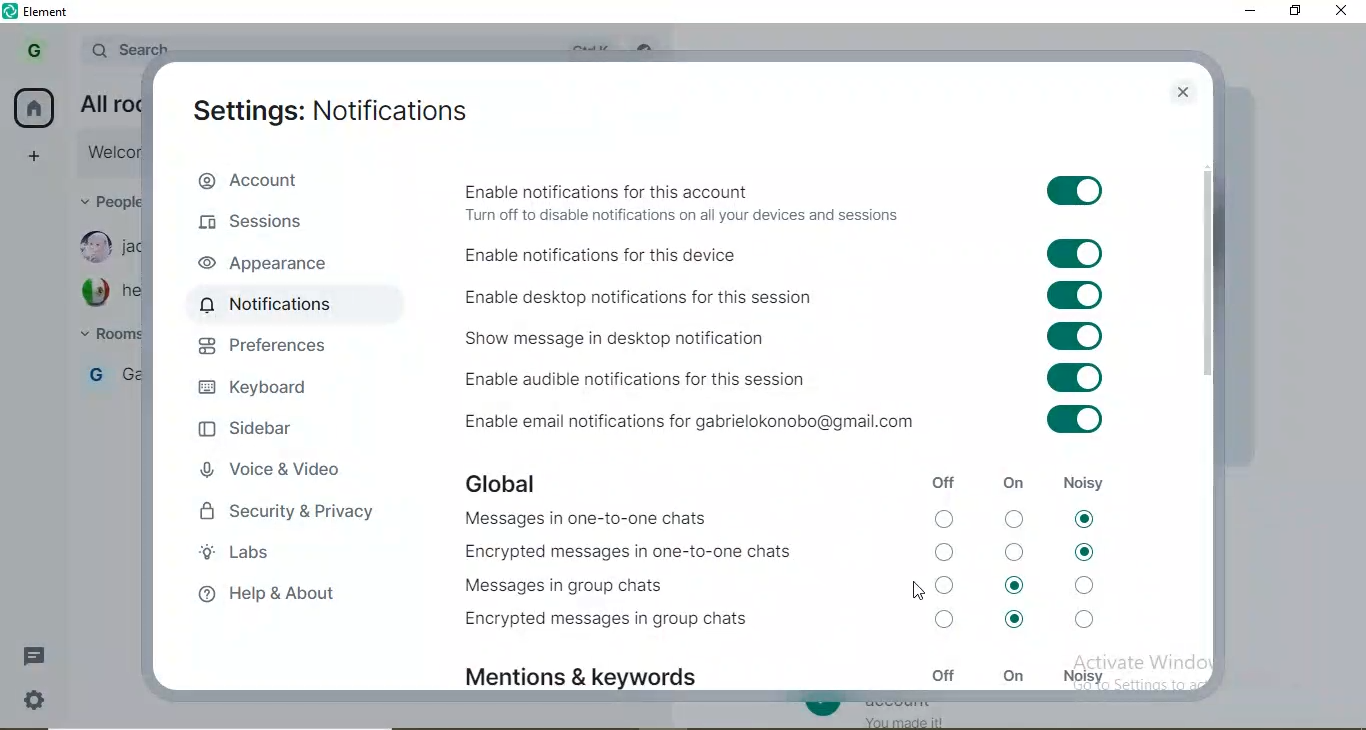 This screenshot has width=1366, height=730. What do you see at coordinates (1252, 13) in the screenshot?
I see `minimise` at bounding box center [1252, 13].